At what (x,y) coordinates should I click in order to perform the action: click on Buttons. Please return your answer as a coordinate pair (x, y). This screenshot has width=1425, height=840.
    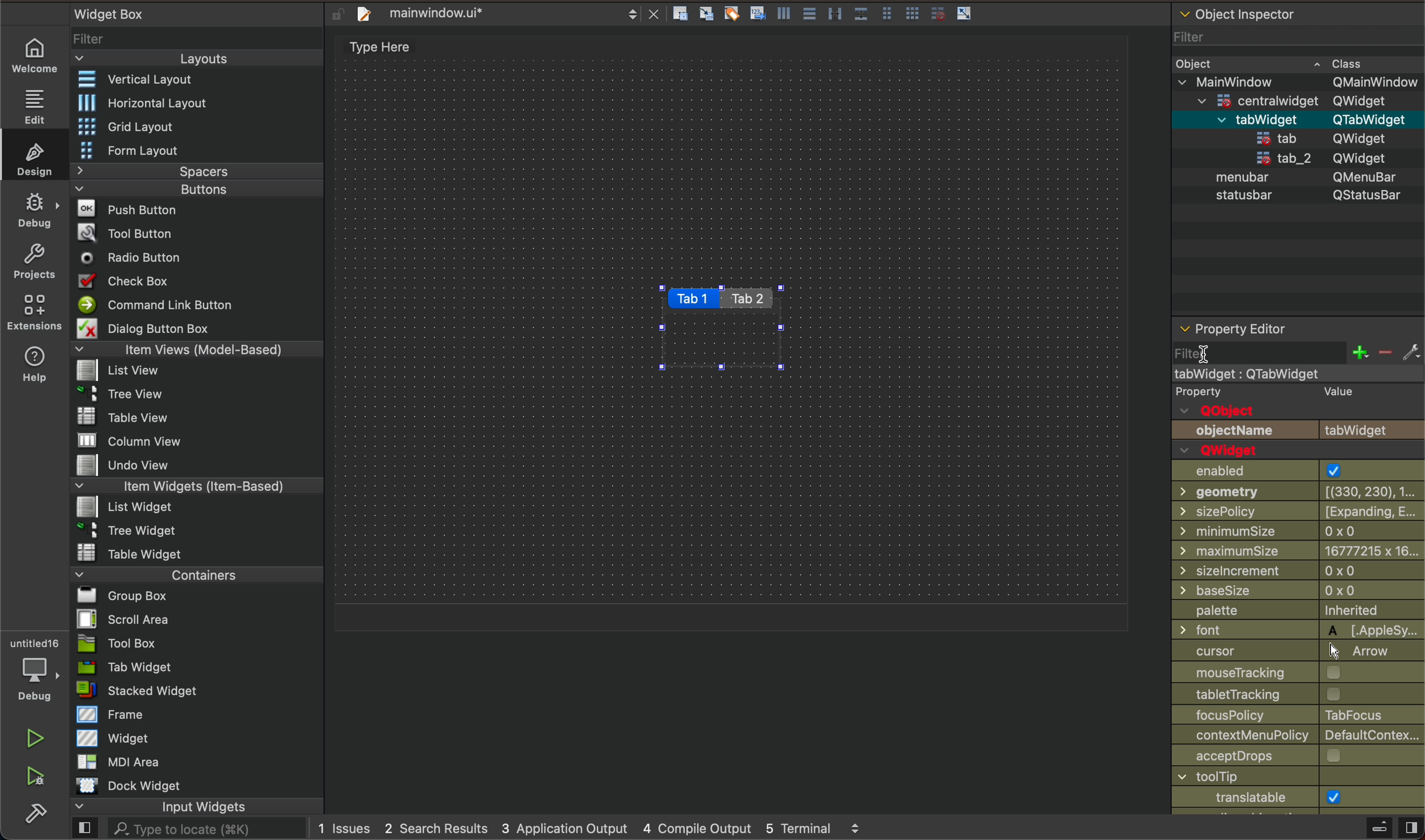
    Looking at the image, I should click on (196, 188).